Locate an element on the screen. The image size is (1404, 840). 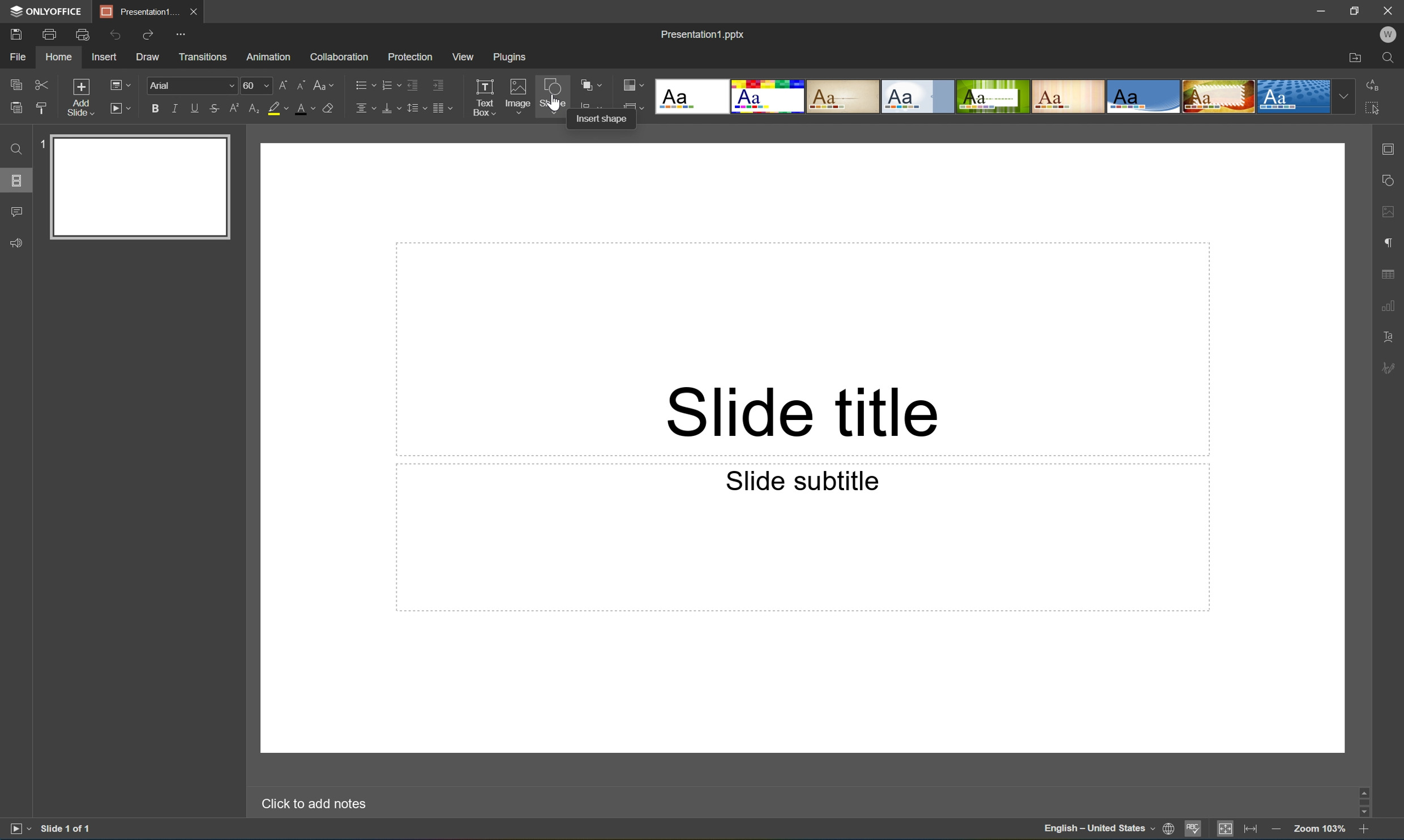
scroll up is located at coordinates (1362, 790).